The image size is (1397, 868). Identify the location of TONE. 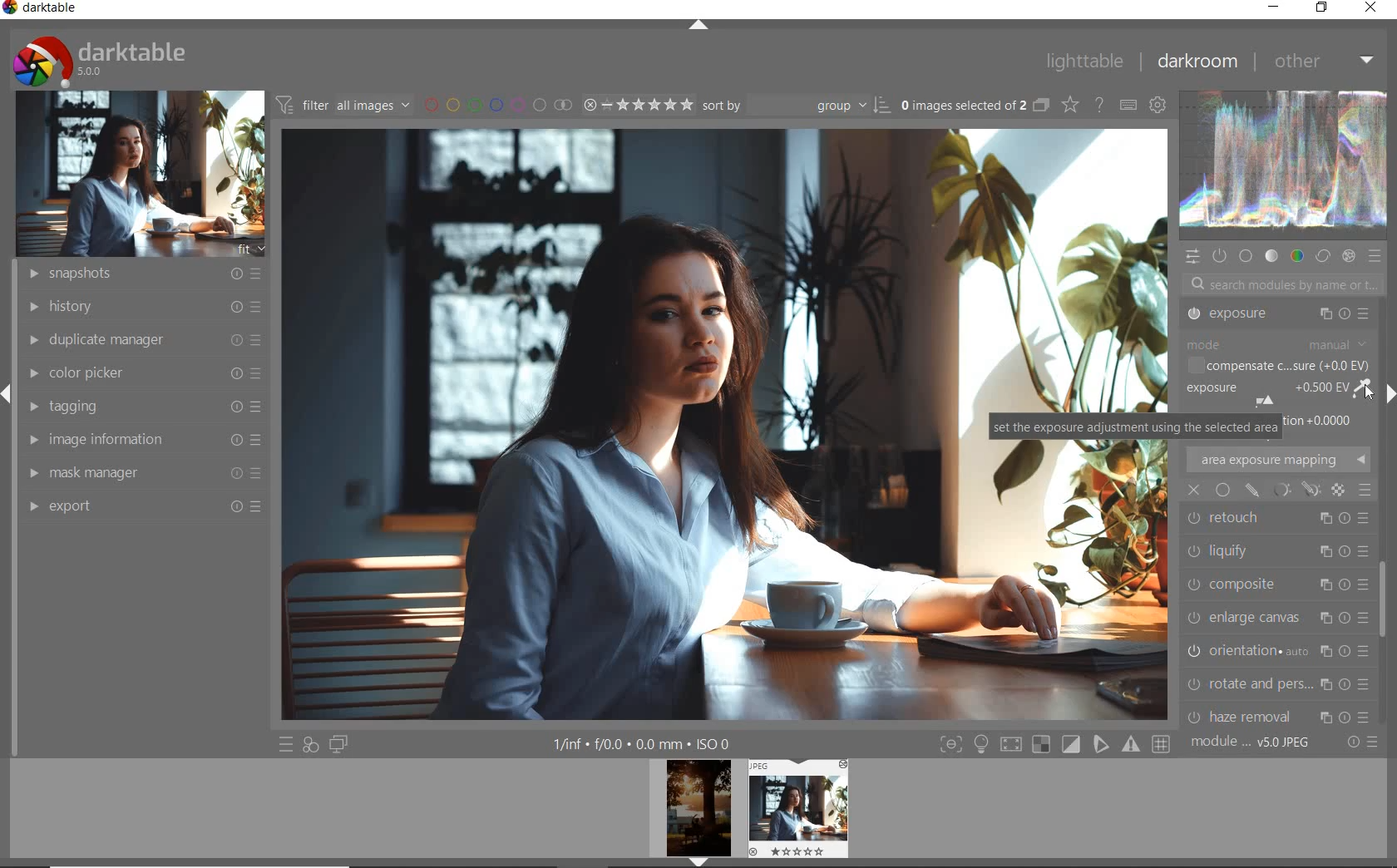
(1271, 256).